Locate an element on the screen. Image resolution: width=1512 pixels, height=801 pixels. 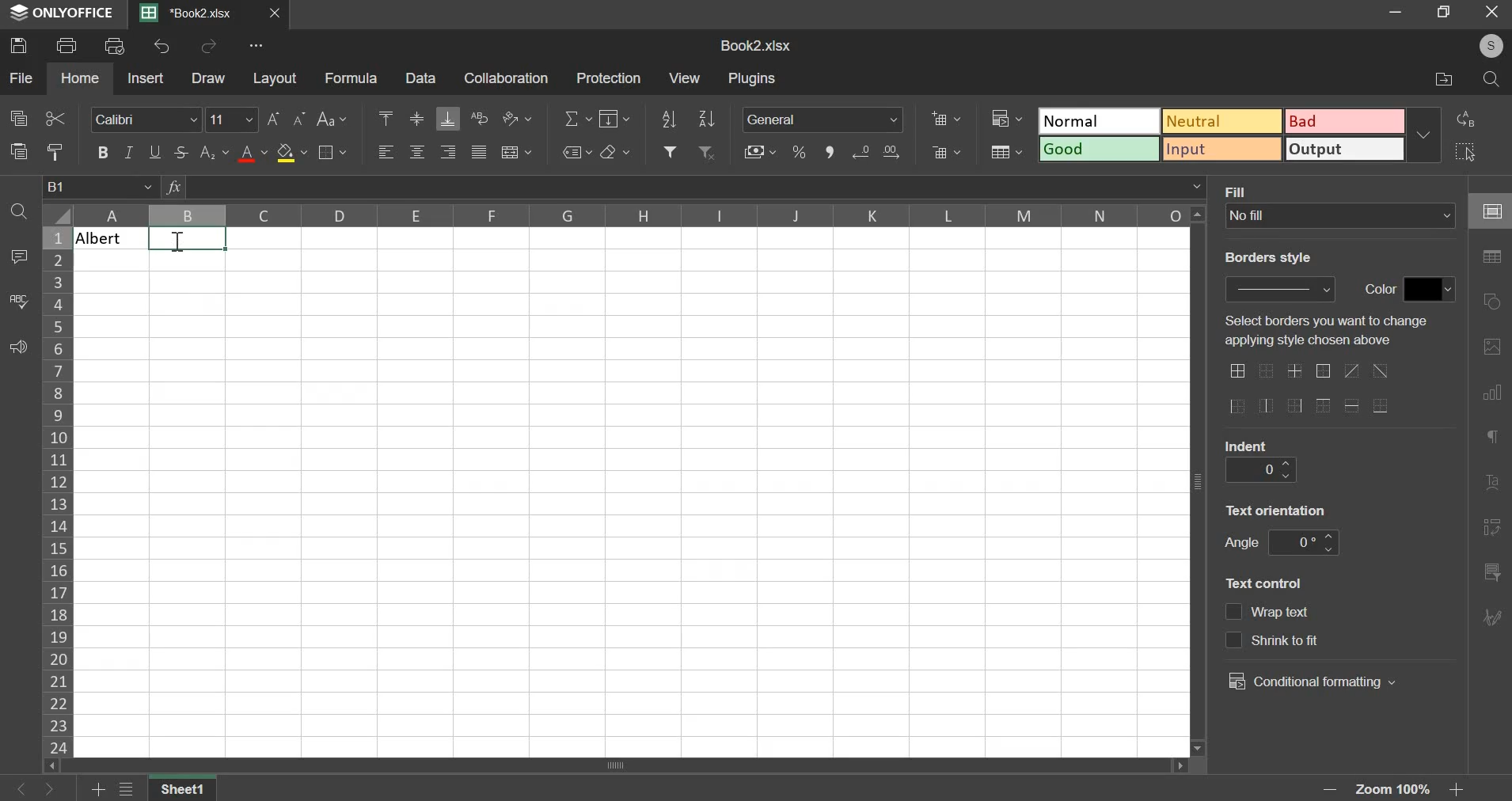
insert is located at coordinates (145, 78).